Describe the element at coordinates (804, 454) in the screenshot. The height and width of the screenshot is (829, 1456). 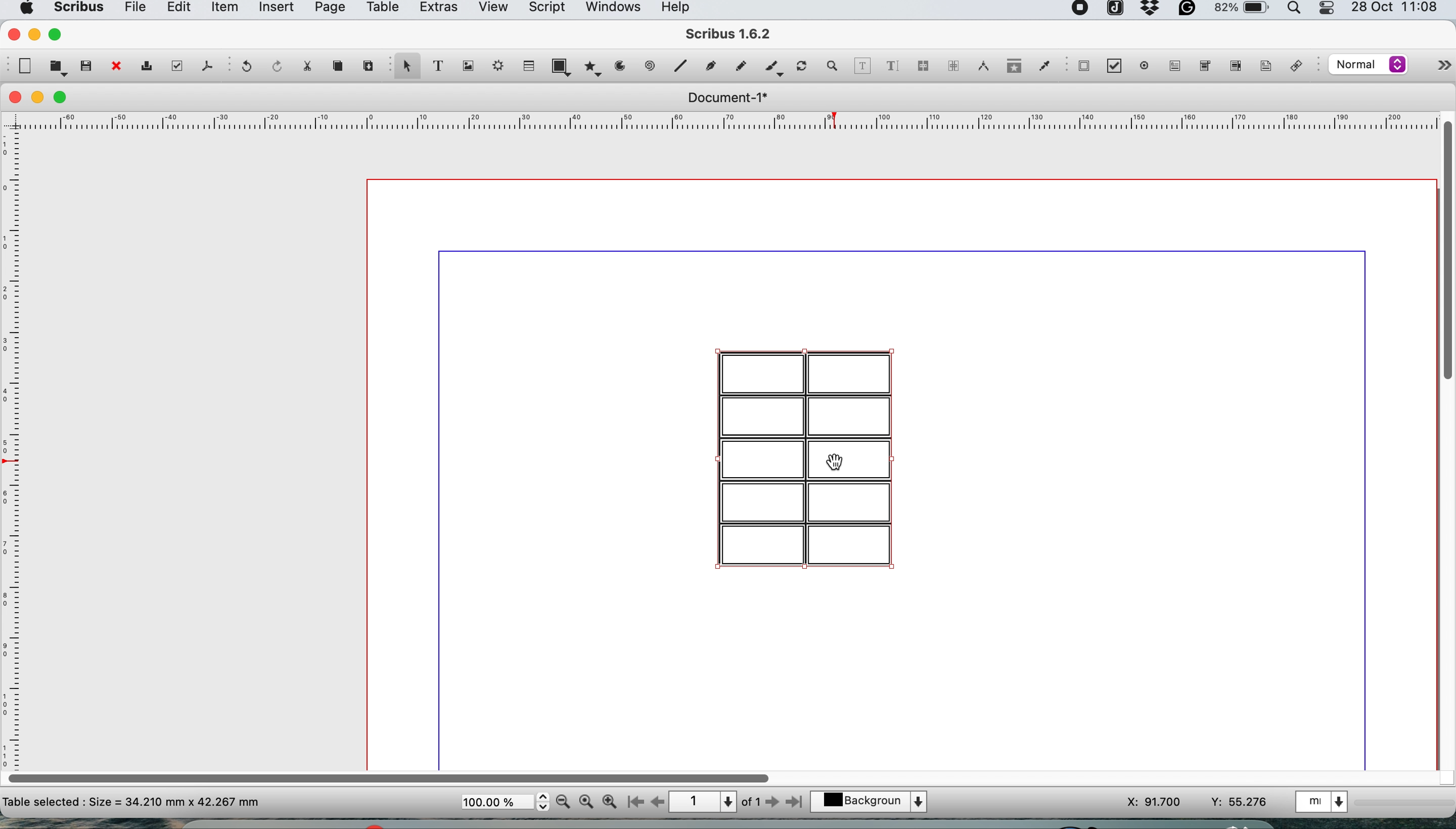
I see `rows added` at that location.